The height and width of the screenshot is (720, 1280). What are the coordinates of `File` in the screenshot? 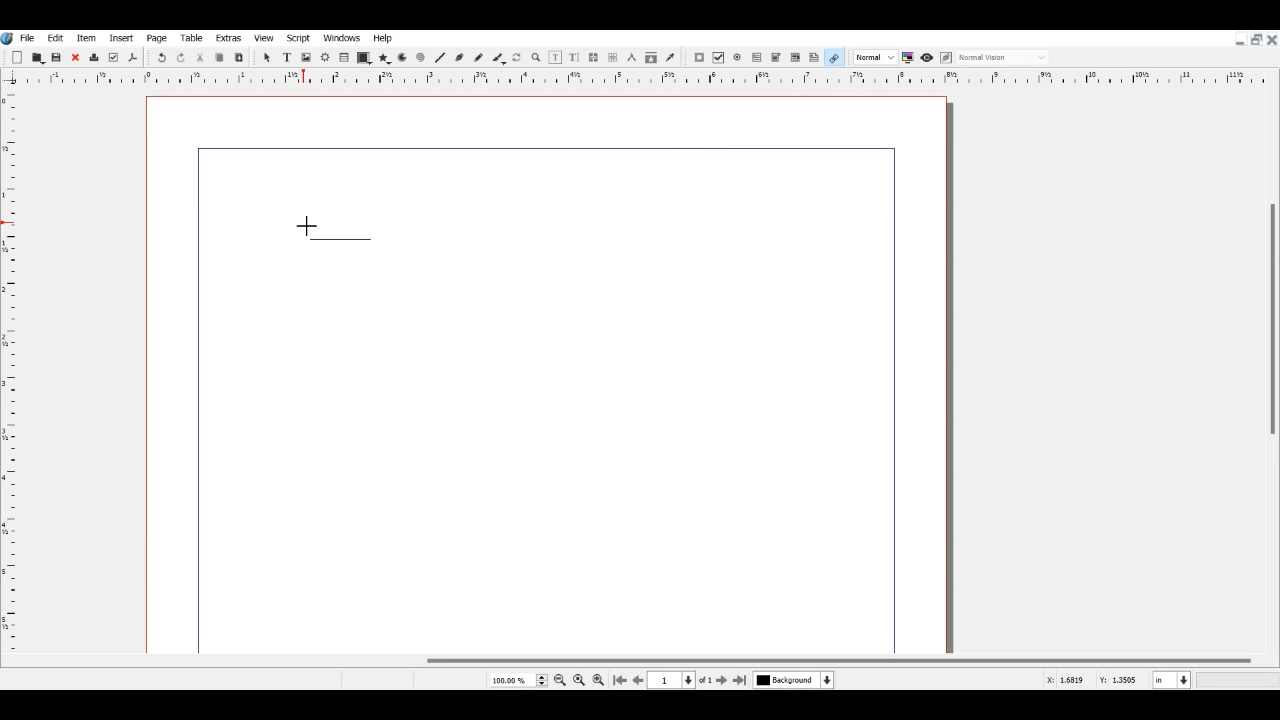 It's located at (29, 37).